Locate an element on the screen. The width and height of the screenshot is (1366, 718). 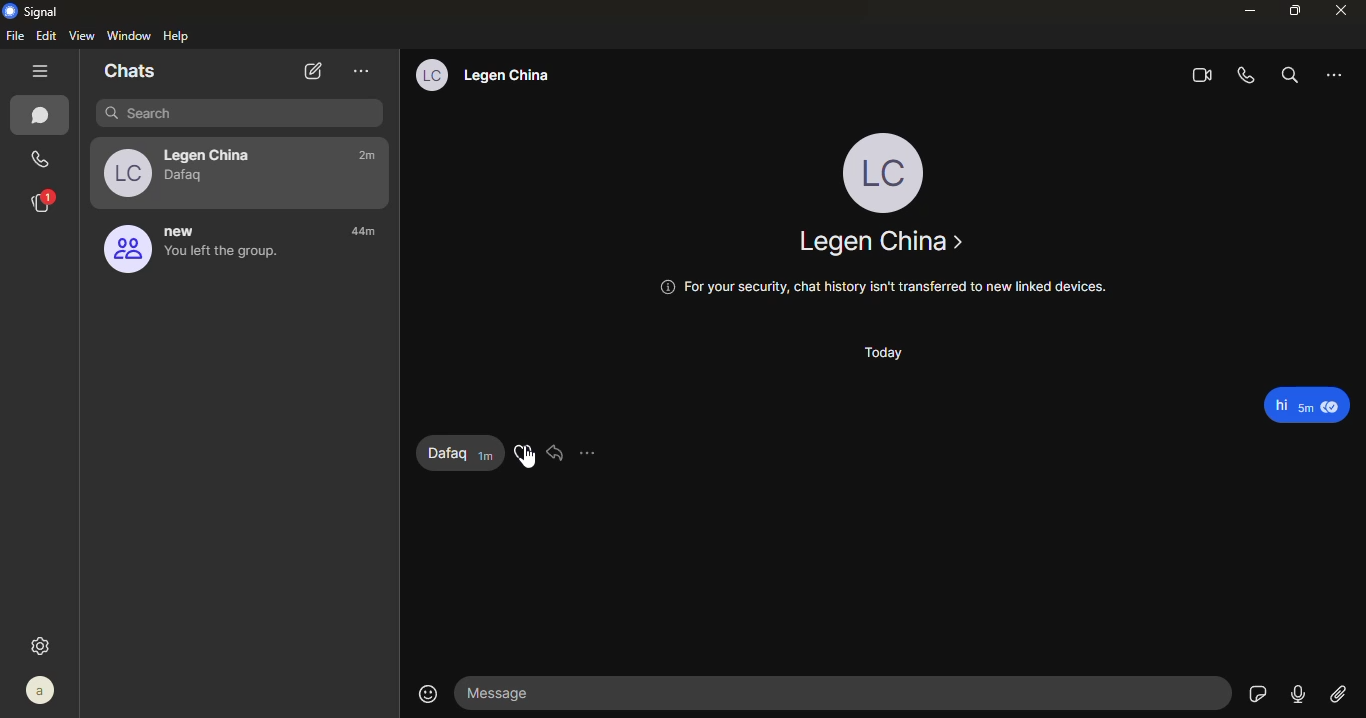
proifile image is located at coordinates (123, 251).